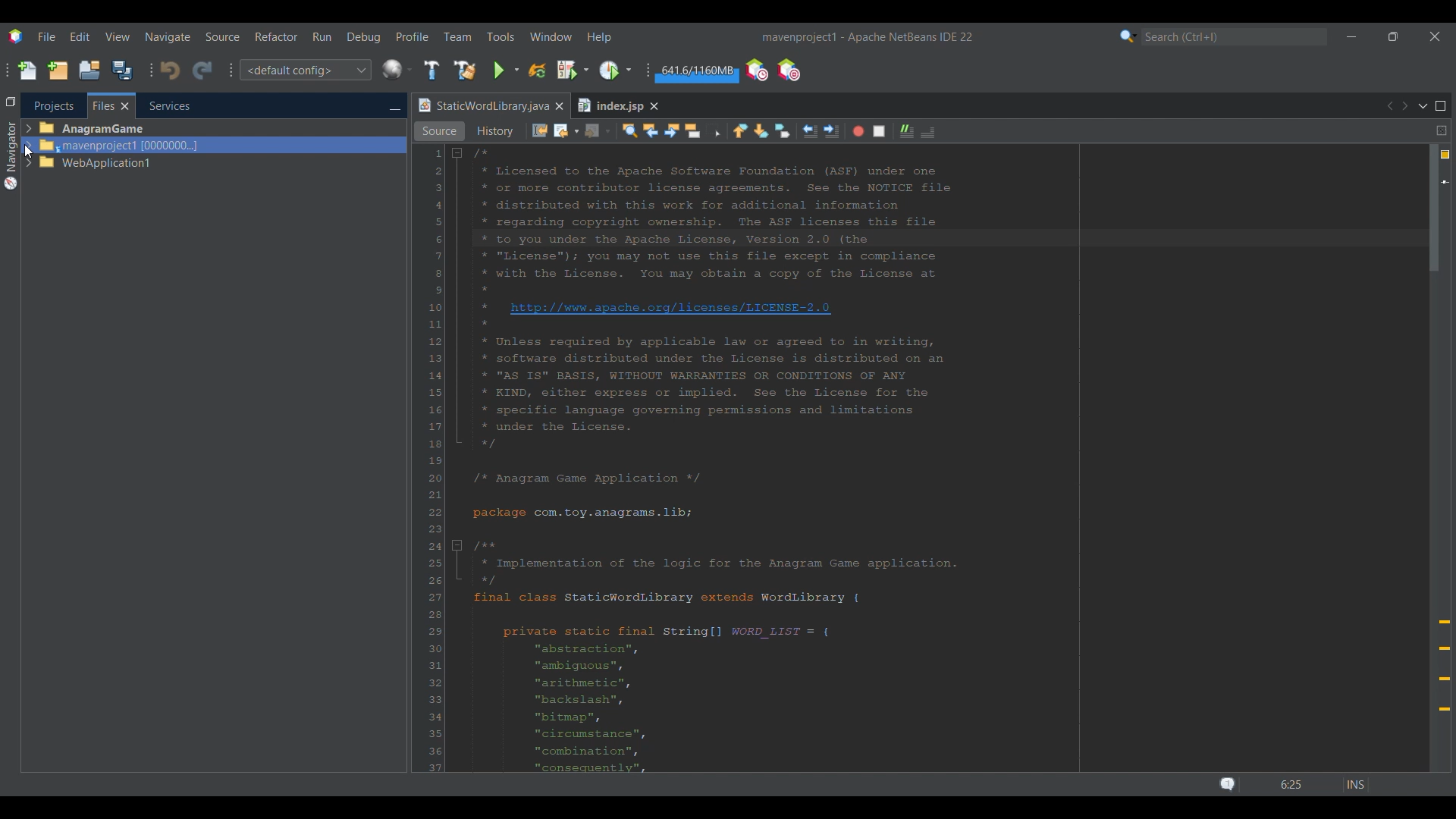 The height and width of the screenshot is (819, 1456). I want to click on Start macro recording, so click(858, 132).